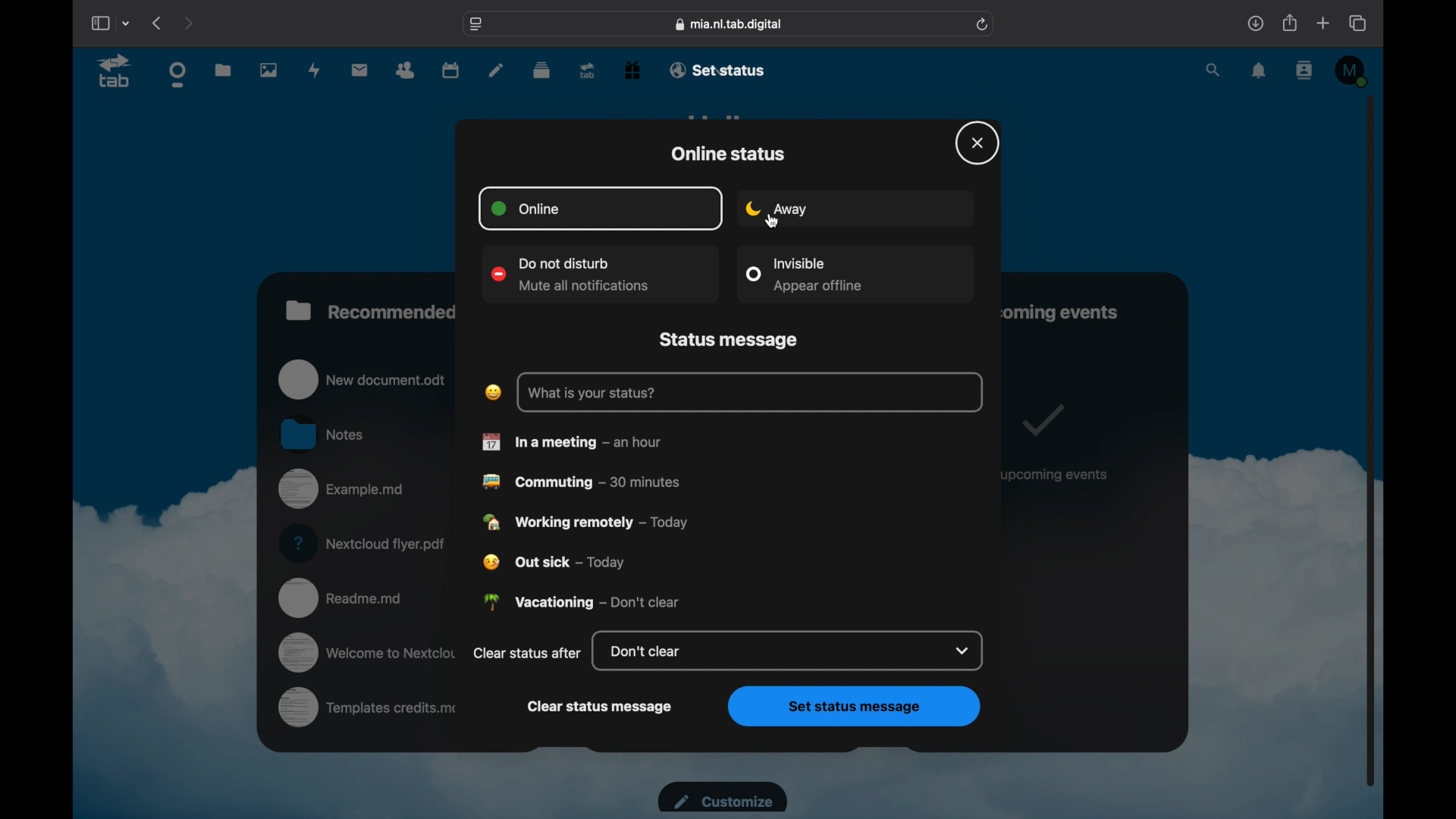 This screenshot has width=1456, height=819. I want to click on set status message, so click(855, 708).